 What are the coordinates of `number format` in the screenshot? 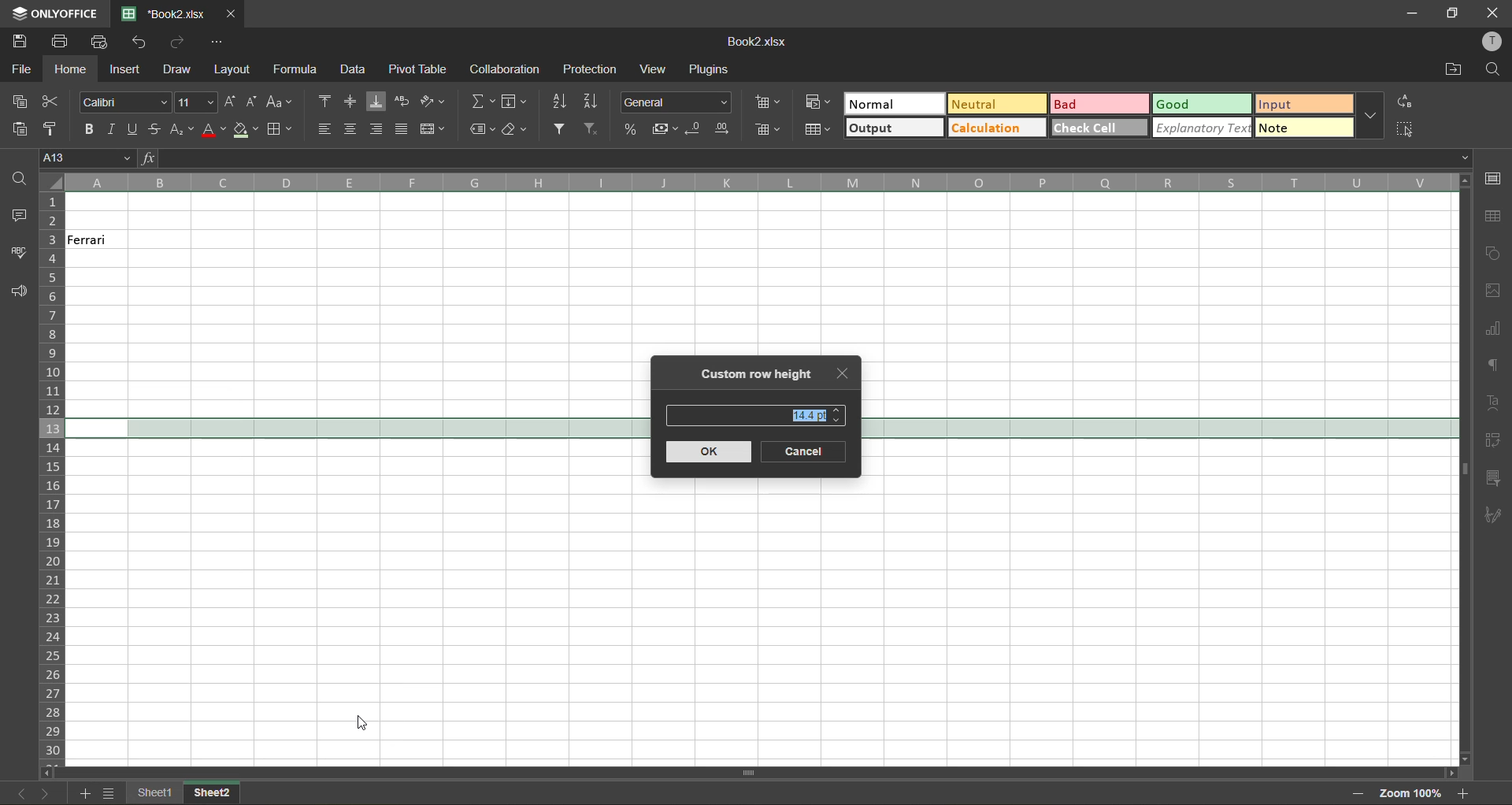 It's located at (675, 103).